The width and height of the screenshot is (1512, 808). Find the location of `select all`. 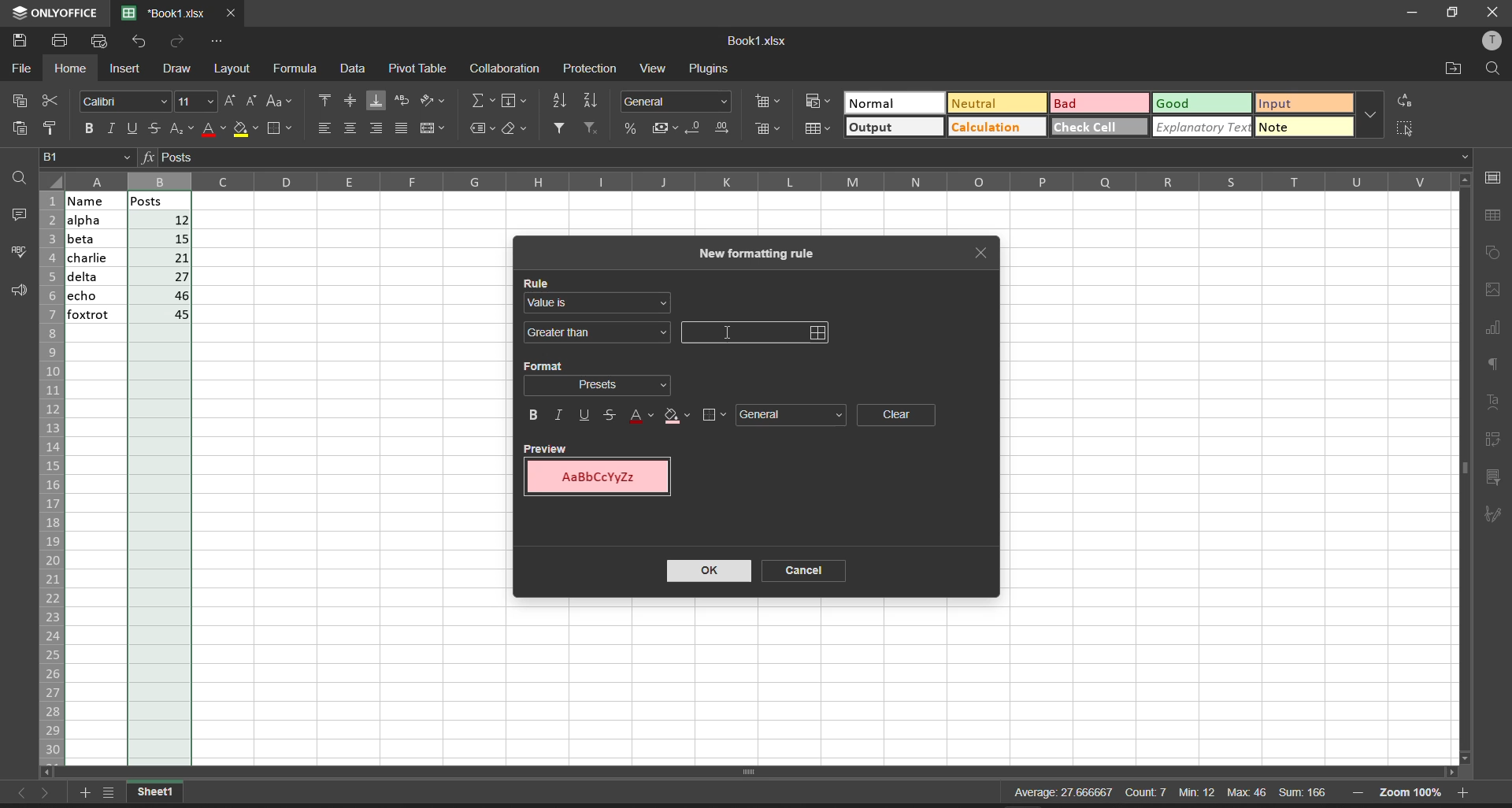

select all is located at coordinates (1407, 127).